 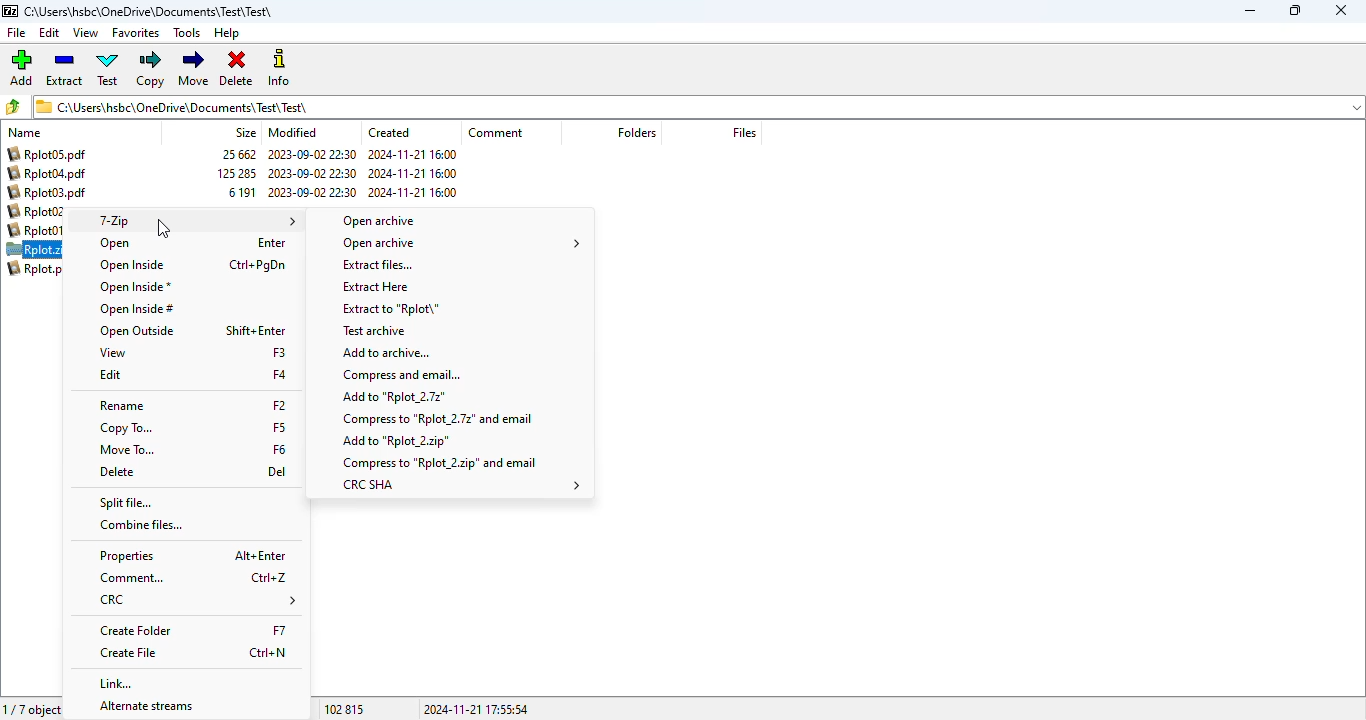 What do you see at coordinates (17, 33) in the screenshot?
I see `file` at bounding box center [17, 33].